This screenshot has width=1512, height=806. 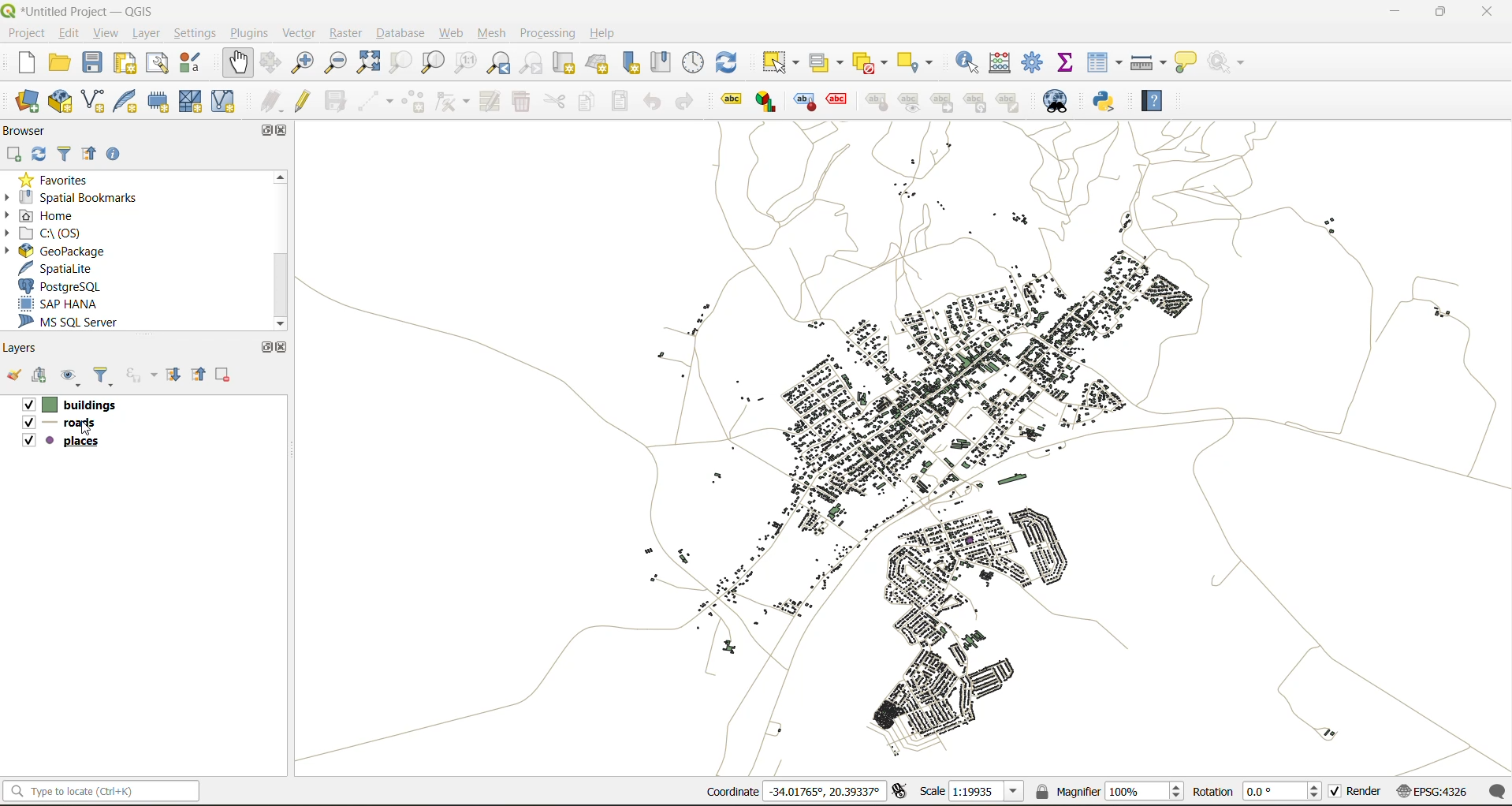 I want to click on filter, so click(x=66, y=154).